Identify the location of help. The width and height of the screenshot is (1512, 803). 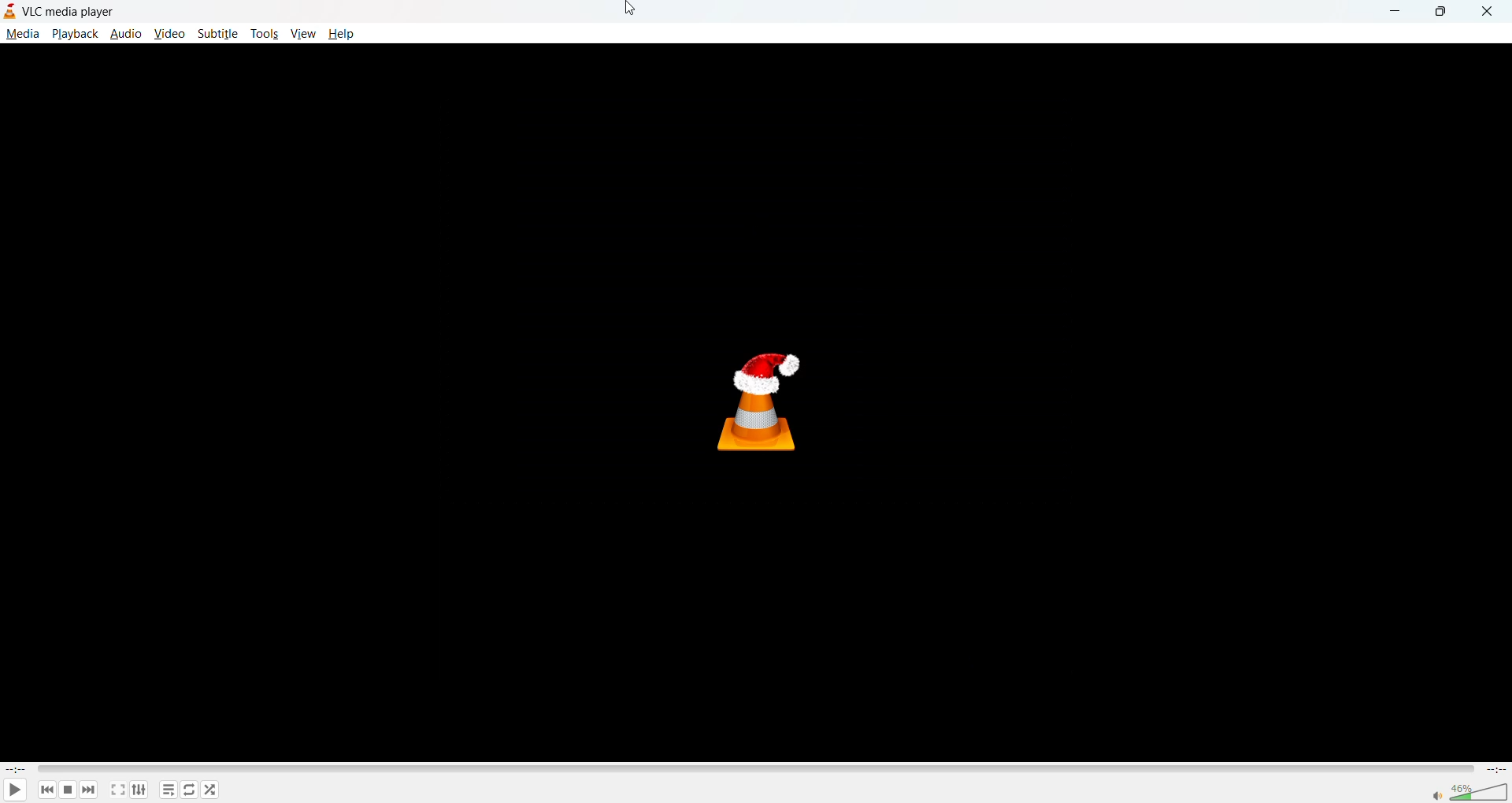
(340, 33).